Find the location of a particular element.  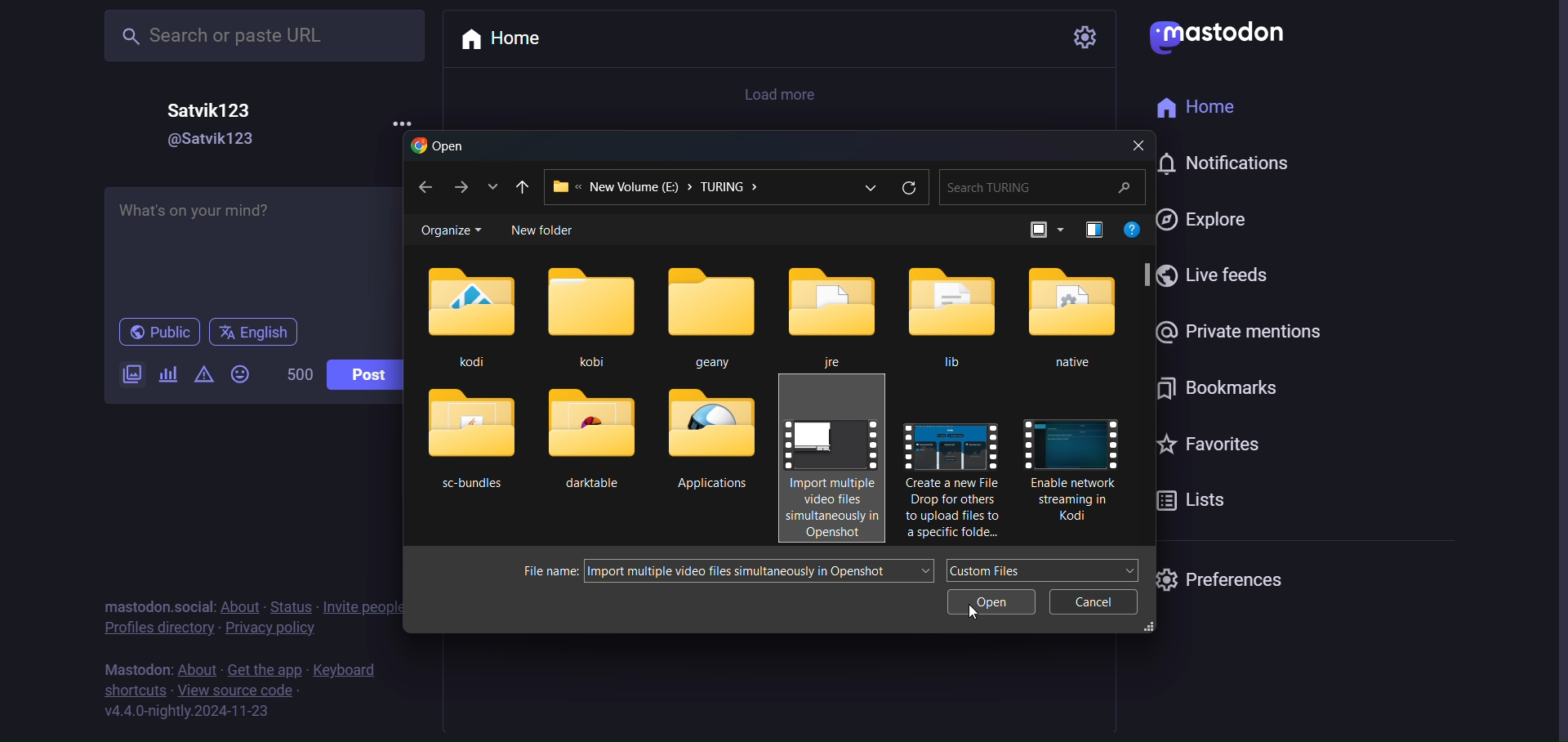

privacy policy is located at coordinates (269, 629).